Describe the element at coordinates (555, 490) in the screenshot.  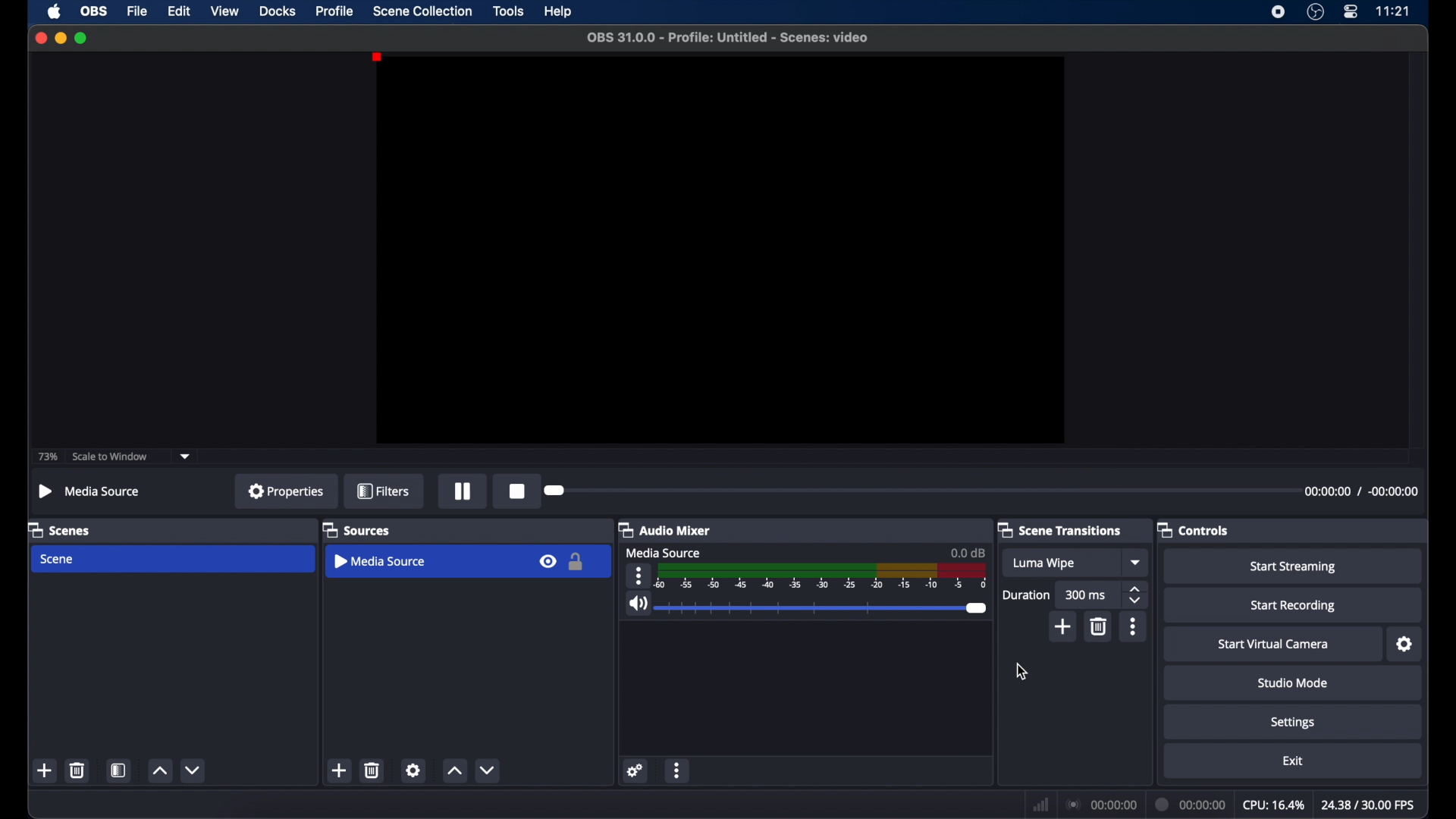
I see `playback head` at that location.